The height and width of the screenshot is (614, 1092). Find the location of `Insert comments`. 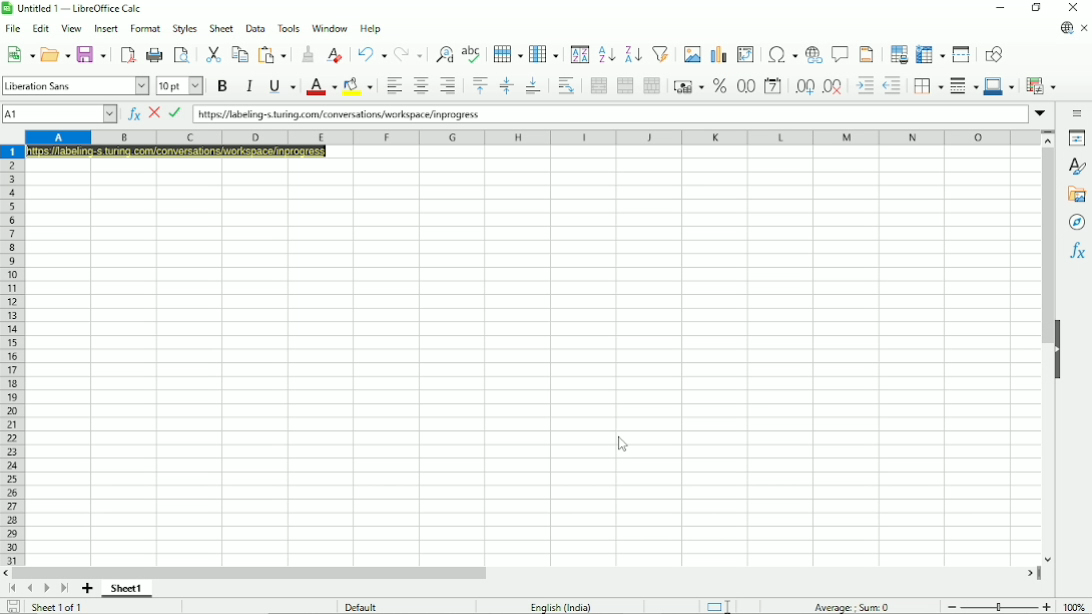

Insert comments is located at coordinates (840, 53).